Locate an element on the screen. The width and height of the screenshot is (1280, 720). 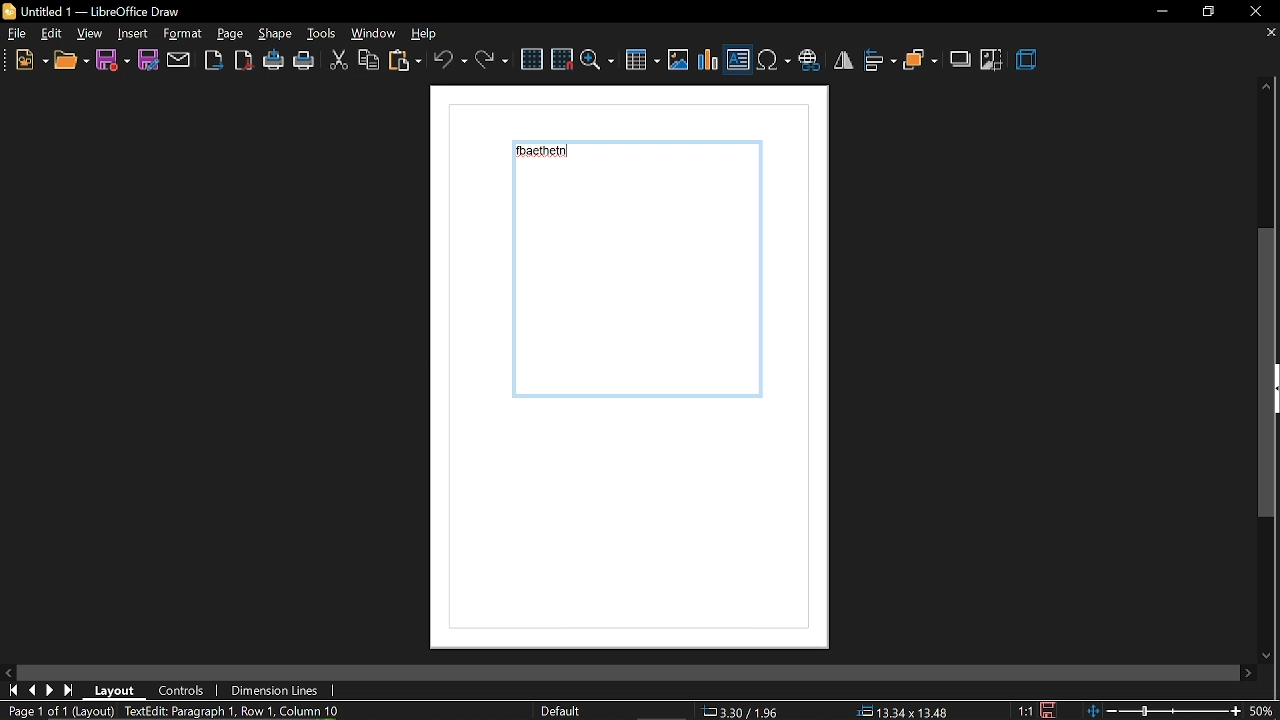
grid is located at coordinates (531, 60).